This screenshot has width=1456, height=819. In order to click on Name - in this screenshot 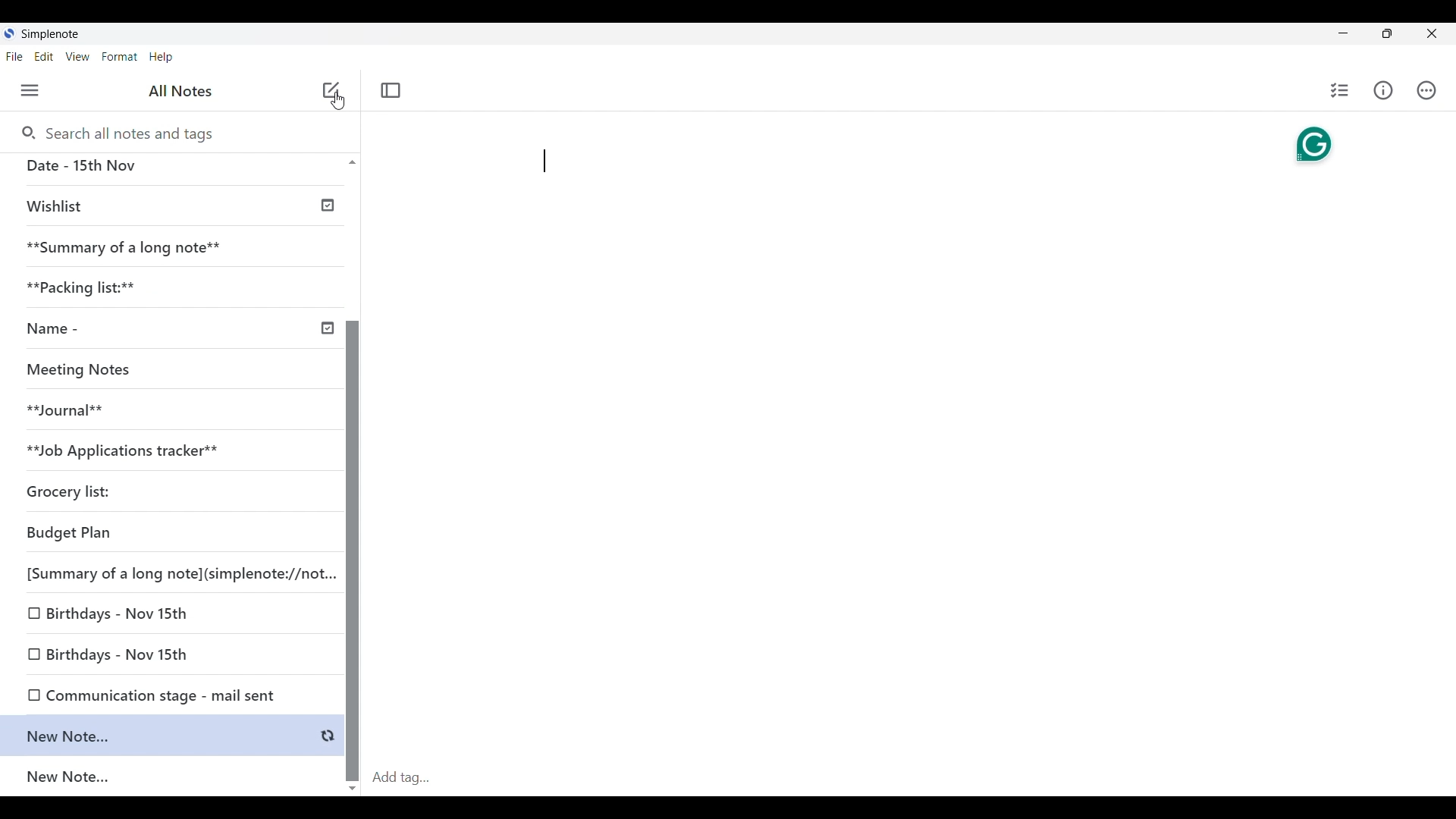, I will do `click(177, 328)`.